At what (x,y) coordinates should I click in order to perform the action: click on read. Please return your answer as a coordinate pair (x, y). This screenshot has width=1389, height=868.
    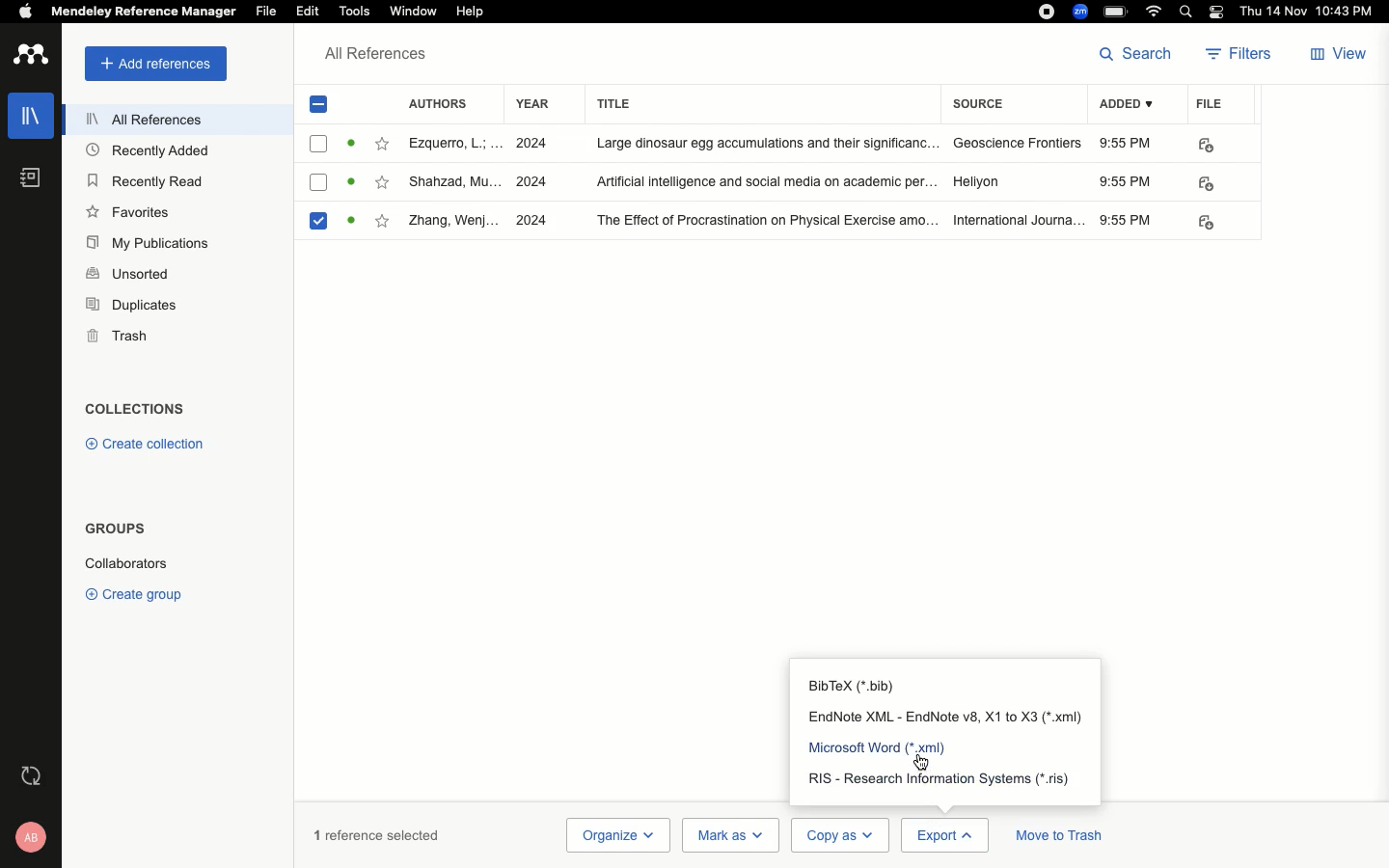
    Looking at the image, I should click on (354, 183).